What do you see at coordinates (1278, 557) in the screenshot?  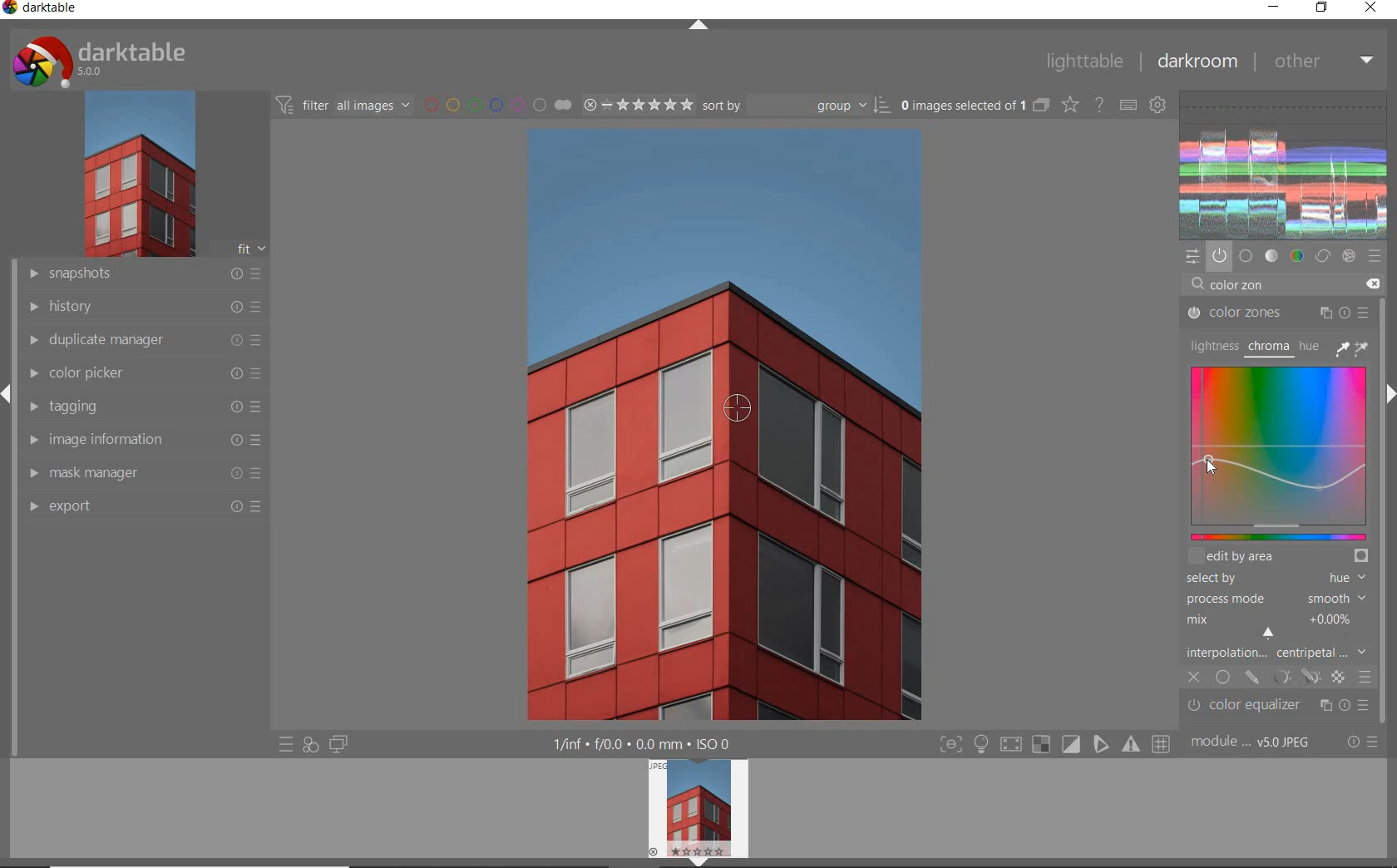 I see `EDIT BY AREA` at bounding box center [1278, 557].